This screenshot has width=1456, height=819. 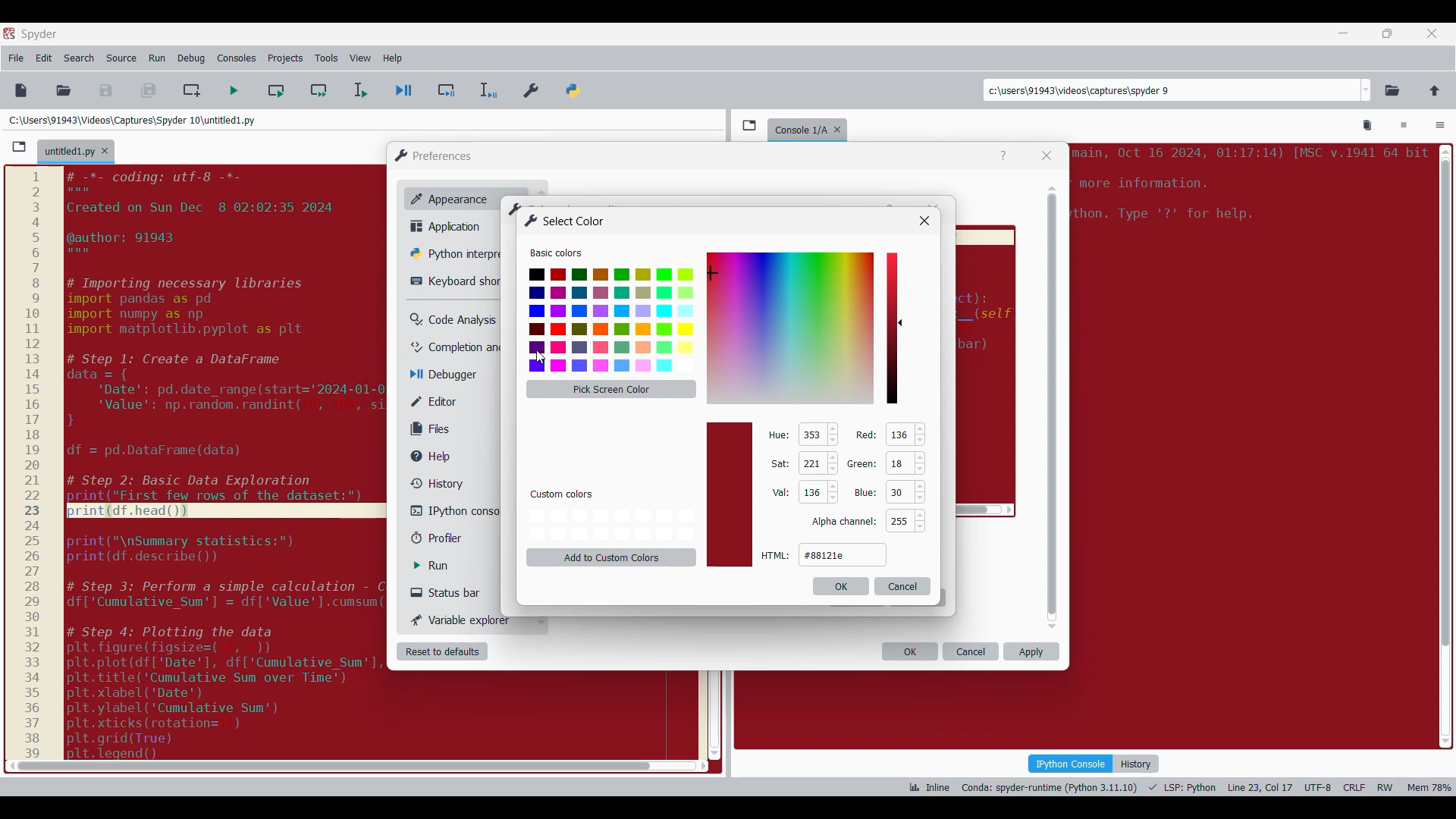 What do you see at coordinates (844, 522) in the screenshot?
I see `` at bounding box center [844, 522].